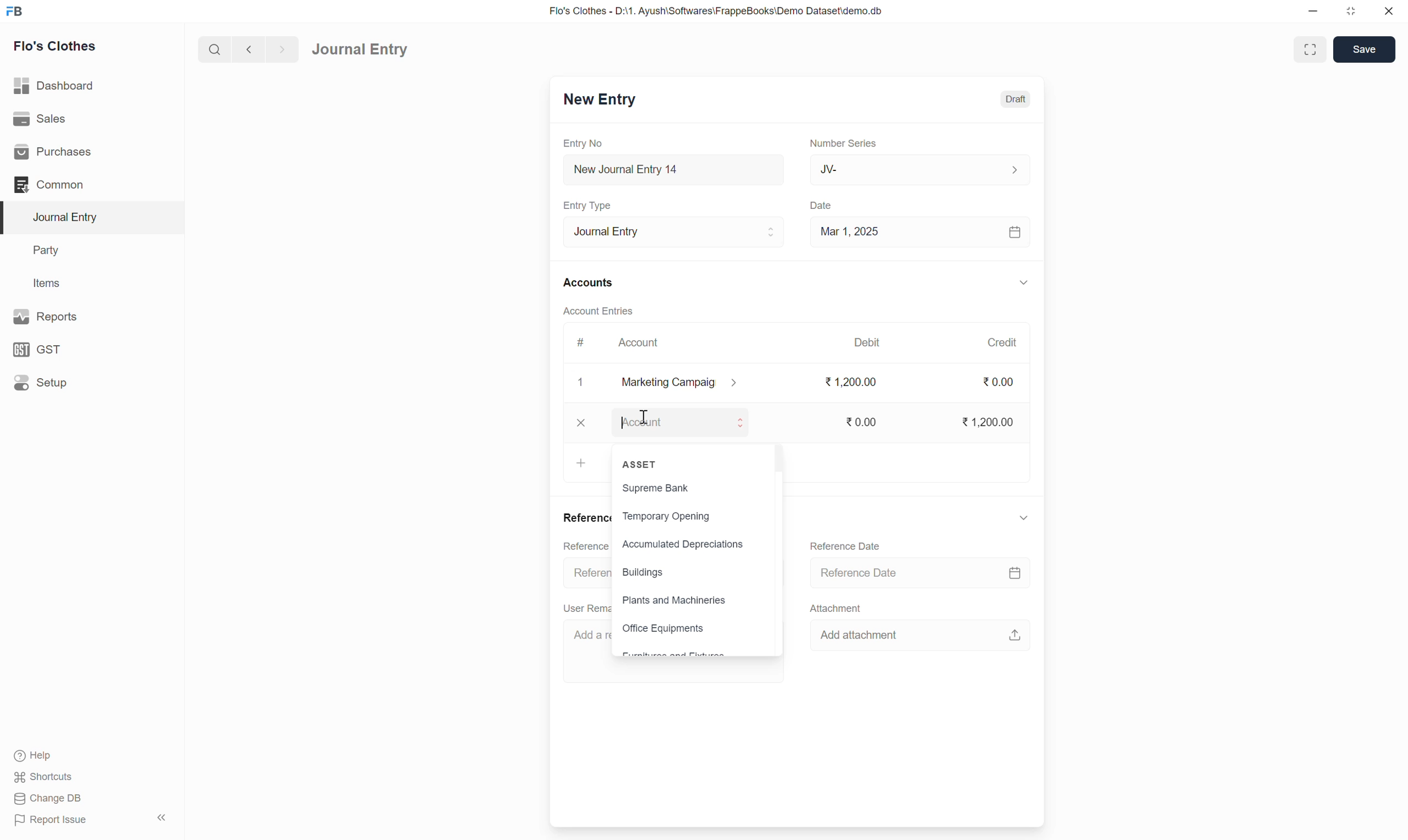 This screenshot has width=1408, height=840. Describe the element at coordinates (582, 383) in the screenshot. I see `1` at that location.